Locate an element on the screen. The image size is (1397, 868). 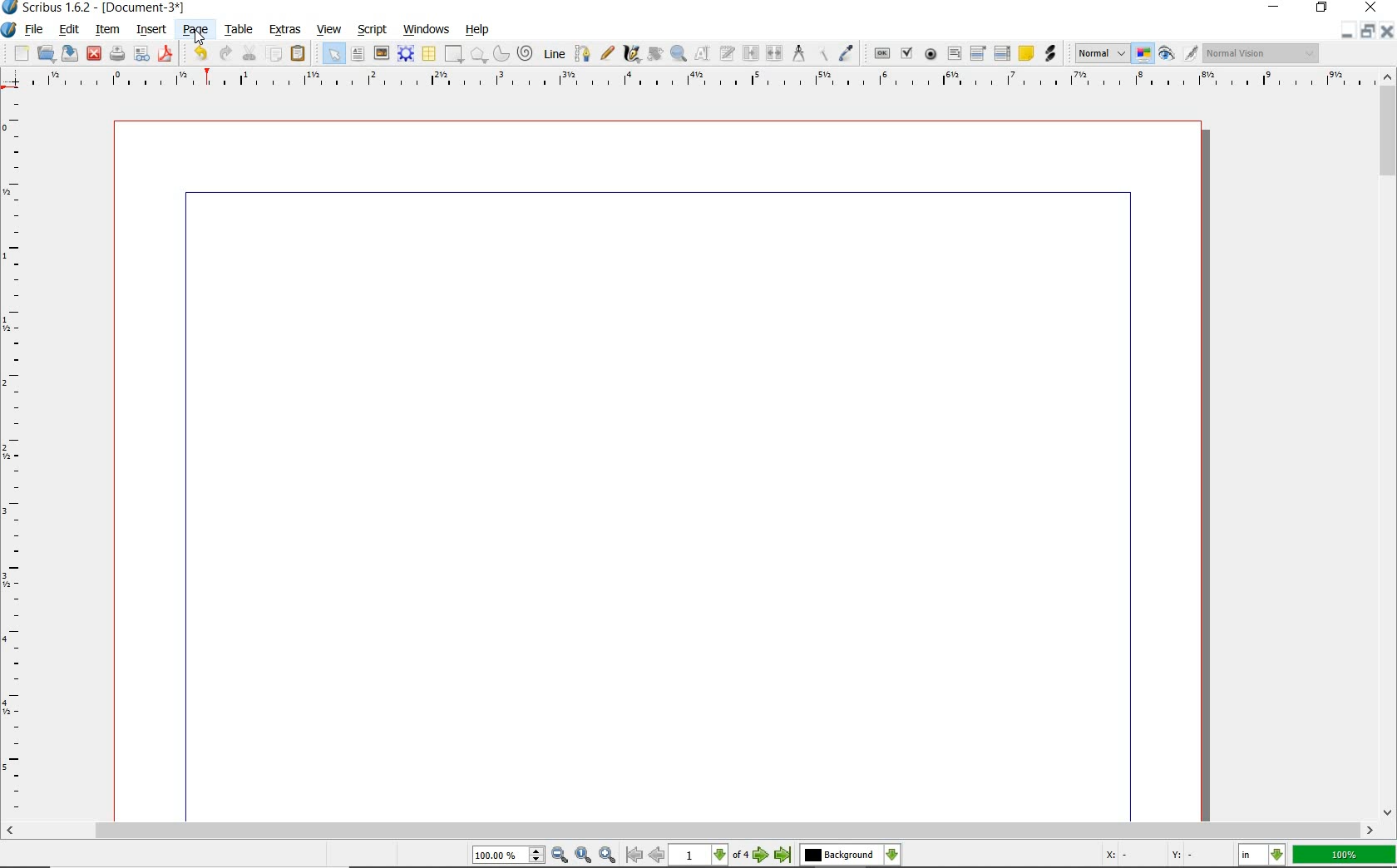
close is located at coordinates (95, 53).